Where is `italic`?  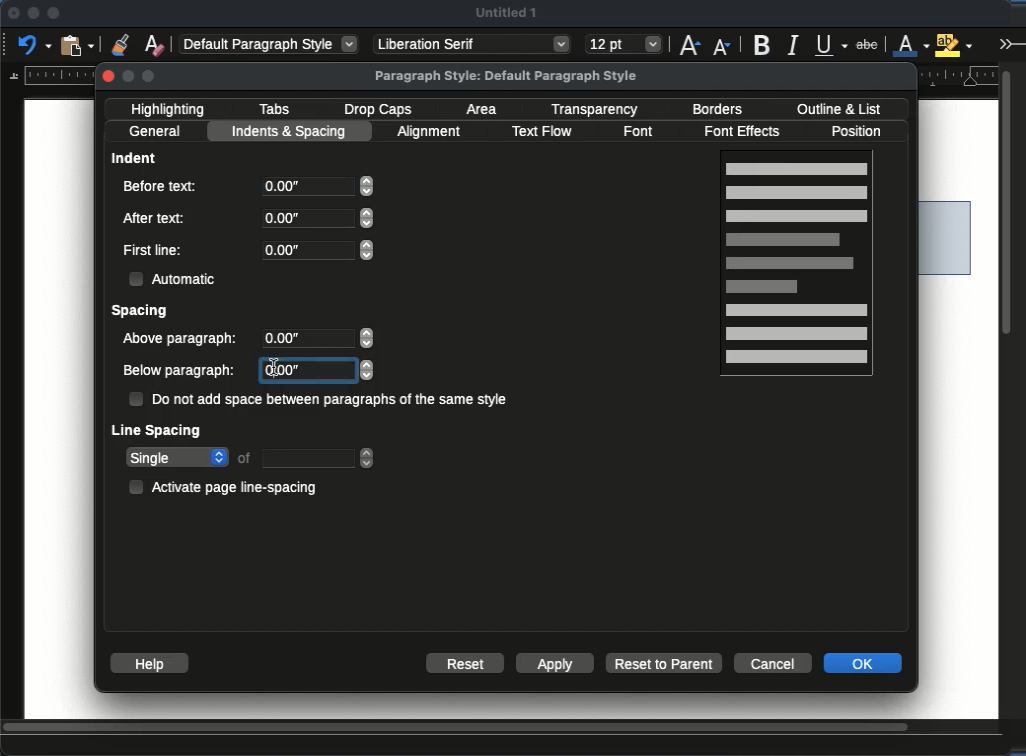 italic is located at coordinates (792, 46).